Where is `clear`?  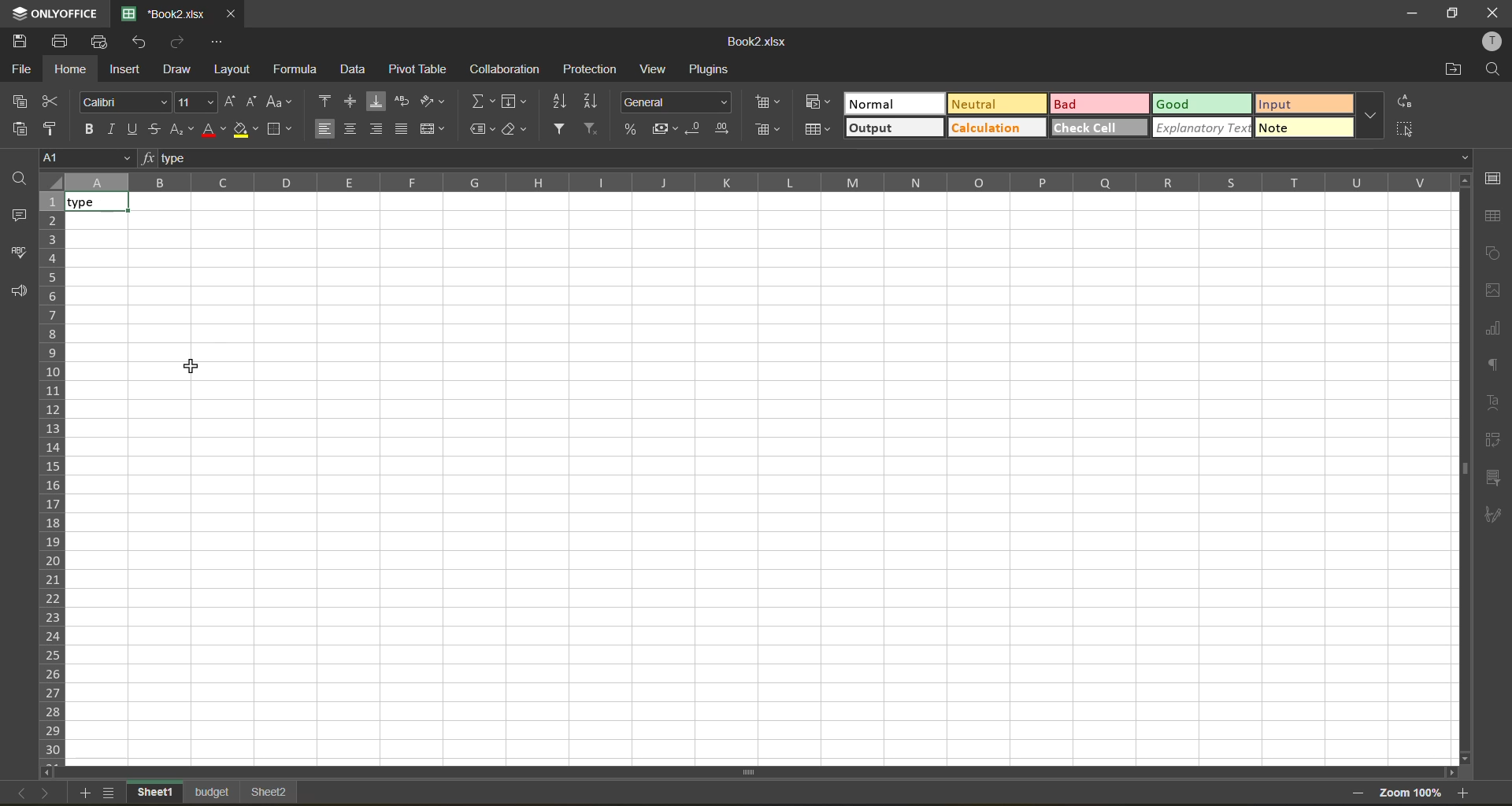 clear is located at coordinates (515, 130).